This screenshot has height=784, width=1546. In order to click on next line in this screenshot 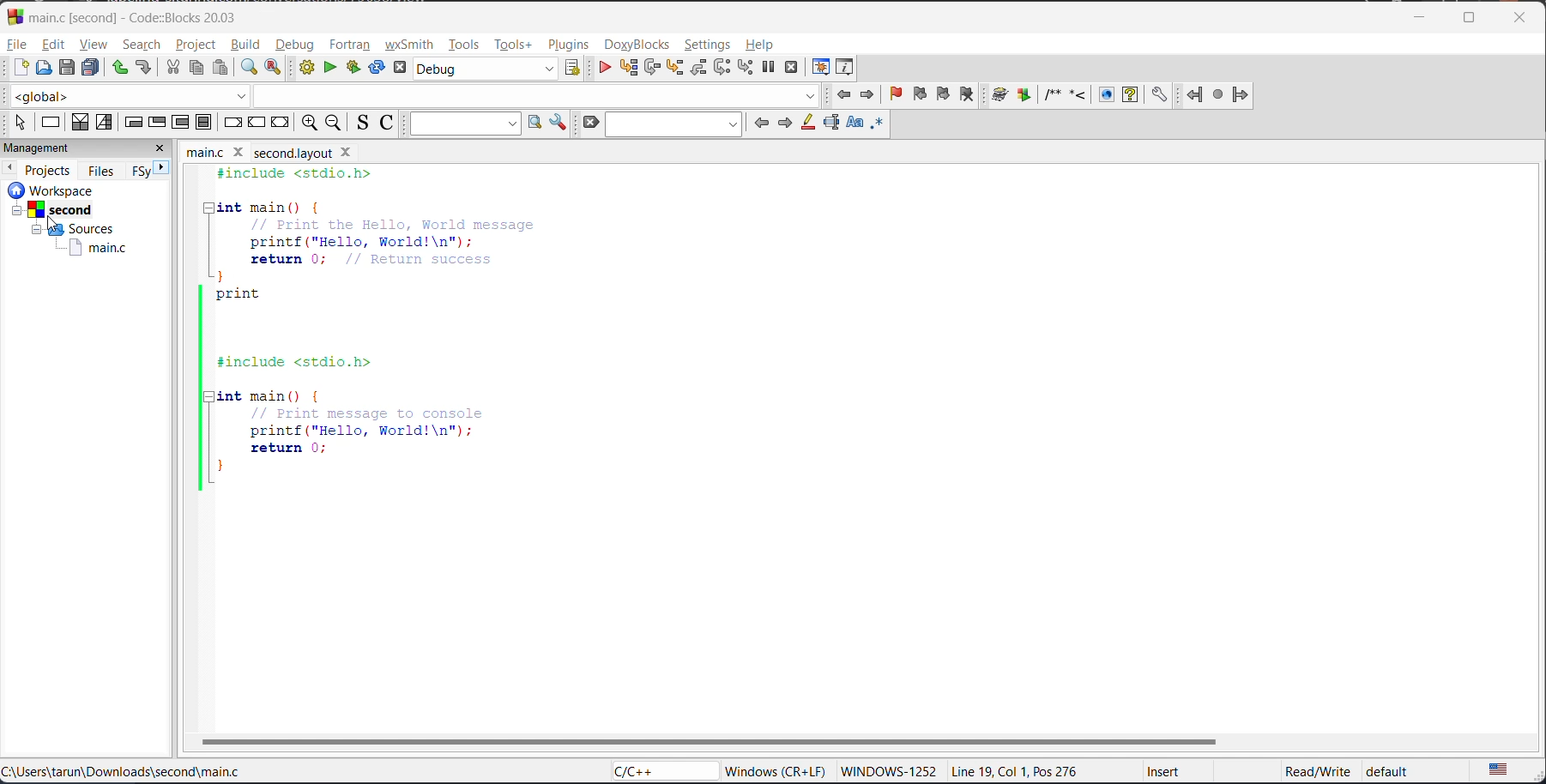, I will do `click(650, 69)`.